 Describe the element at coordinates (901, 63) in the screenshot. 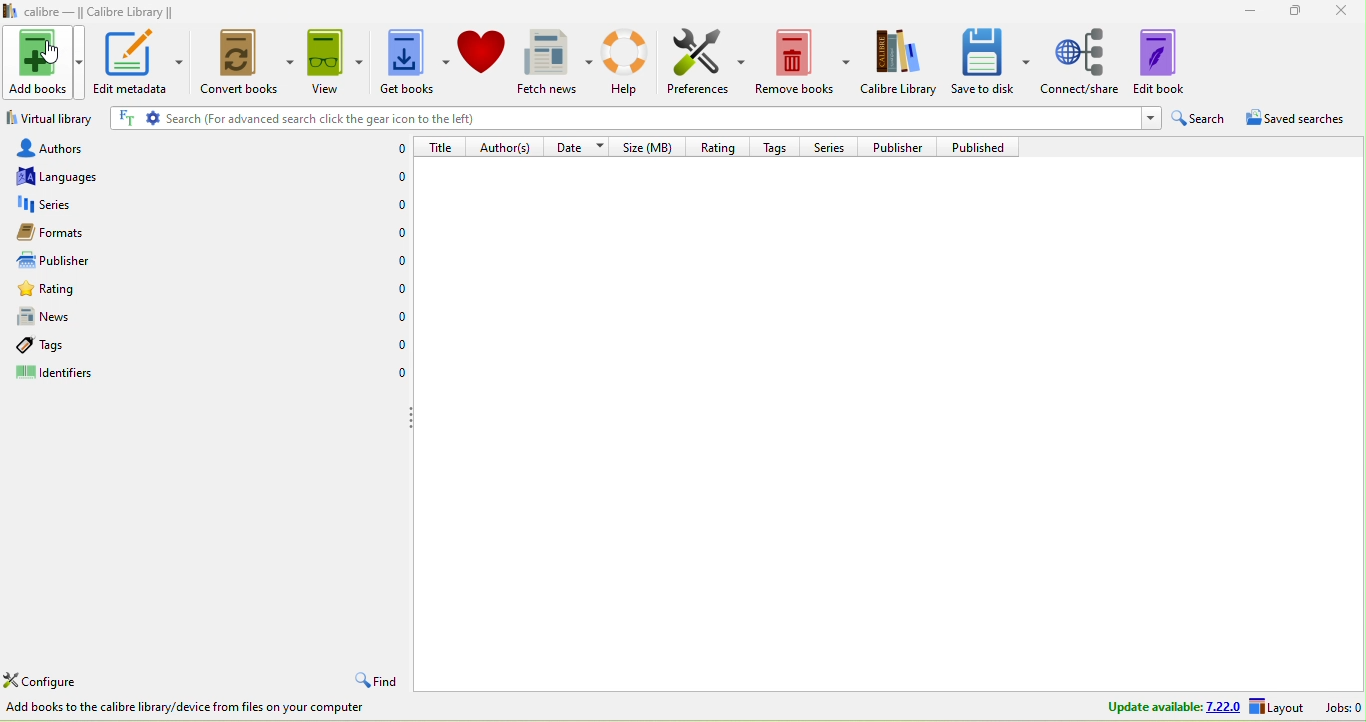

I see `calibre library` at that location.